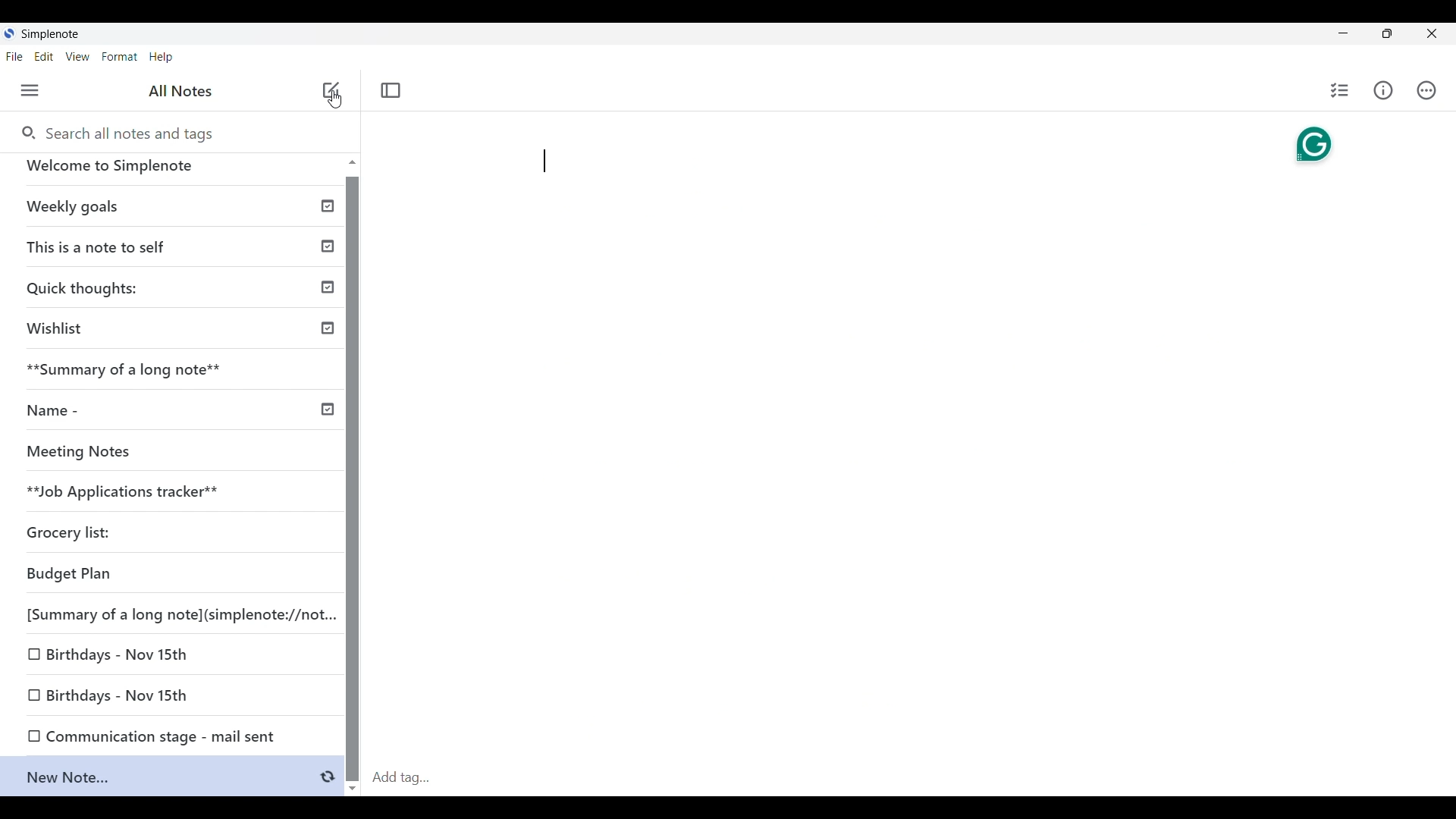  Describe the element at coordinates (1313, 145) in the screenshot. I see `Grammarly extension` at that location.